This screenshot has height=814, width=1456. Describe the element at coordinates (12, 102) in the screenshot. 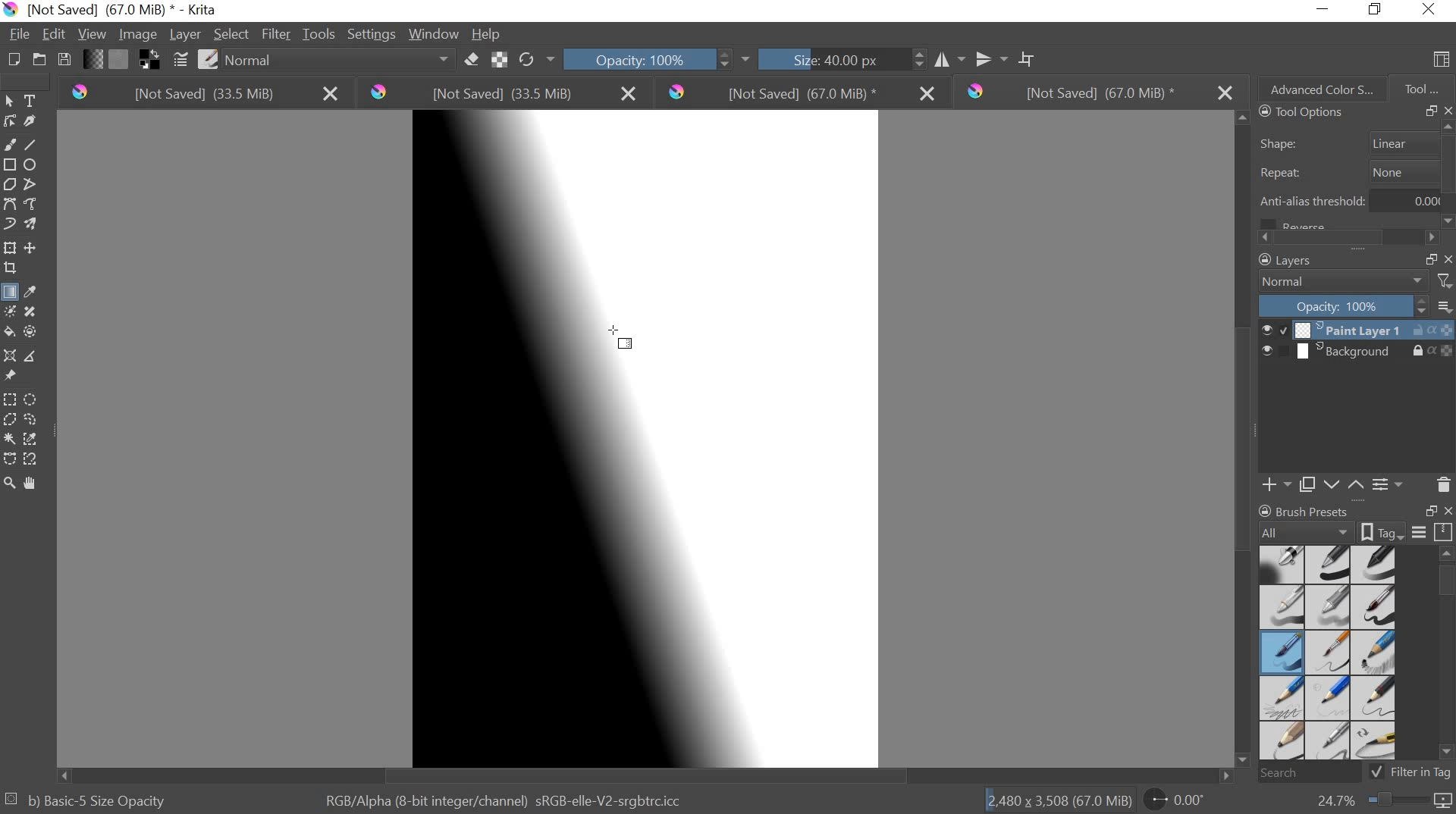

I see `select` at that location.